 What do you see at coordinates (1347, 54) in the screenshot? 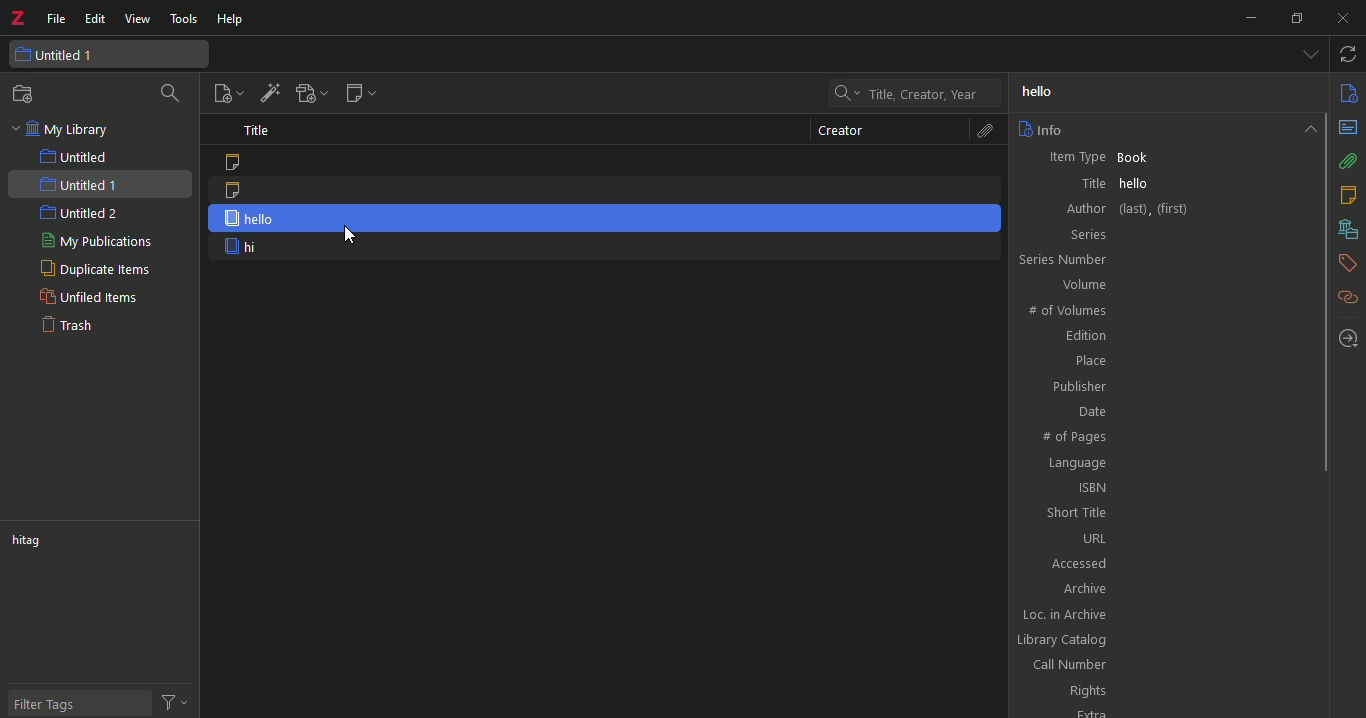
I see `sync` at bounding box center [1347, 54].